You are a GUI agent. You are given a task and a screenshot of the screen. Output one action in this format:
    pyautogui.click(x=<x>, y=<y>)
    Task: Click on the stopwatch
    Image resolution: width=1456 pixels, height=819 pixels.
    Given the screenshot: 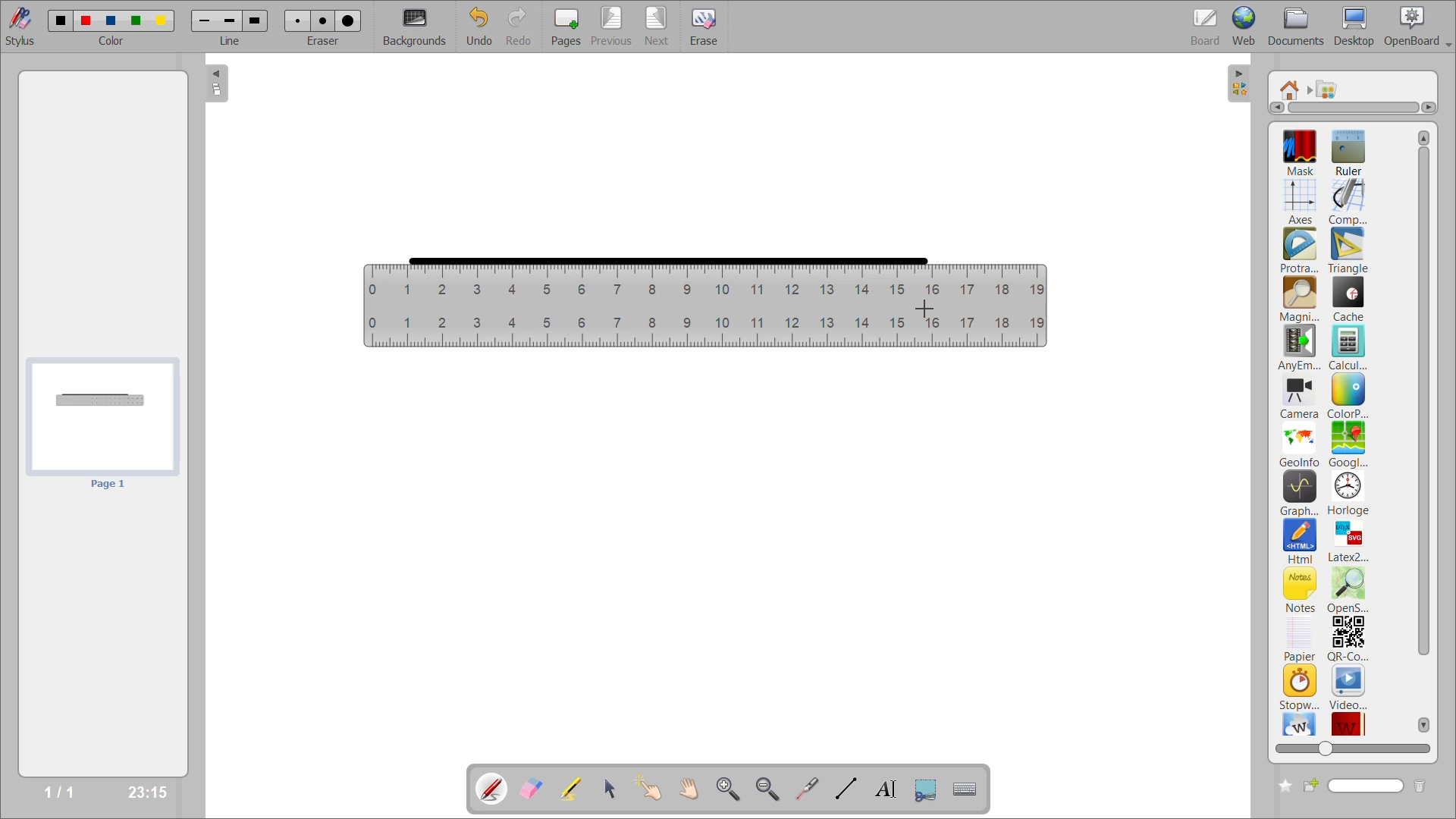 What is the action you would take?
    pyautogui.click(x=1299, y=686)
    